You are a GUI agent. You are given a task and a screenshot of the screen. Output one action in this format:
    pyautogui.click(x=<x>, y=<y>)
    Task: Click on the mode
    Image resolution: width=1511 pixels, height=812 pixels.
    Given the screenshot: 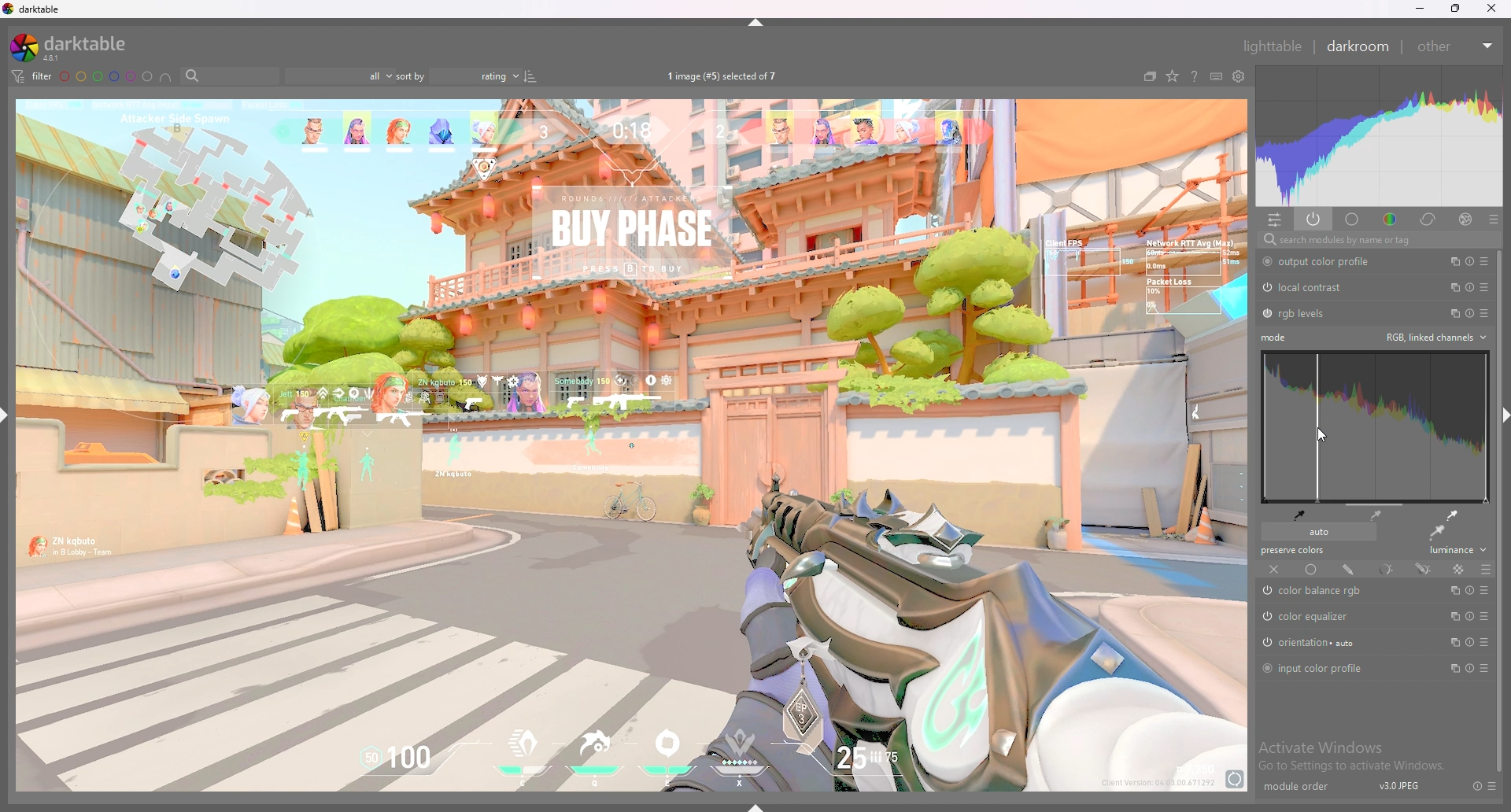 What is the action you would take?
    pyautogui.click(x=1276, y=338)
    